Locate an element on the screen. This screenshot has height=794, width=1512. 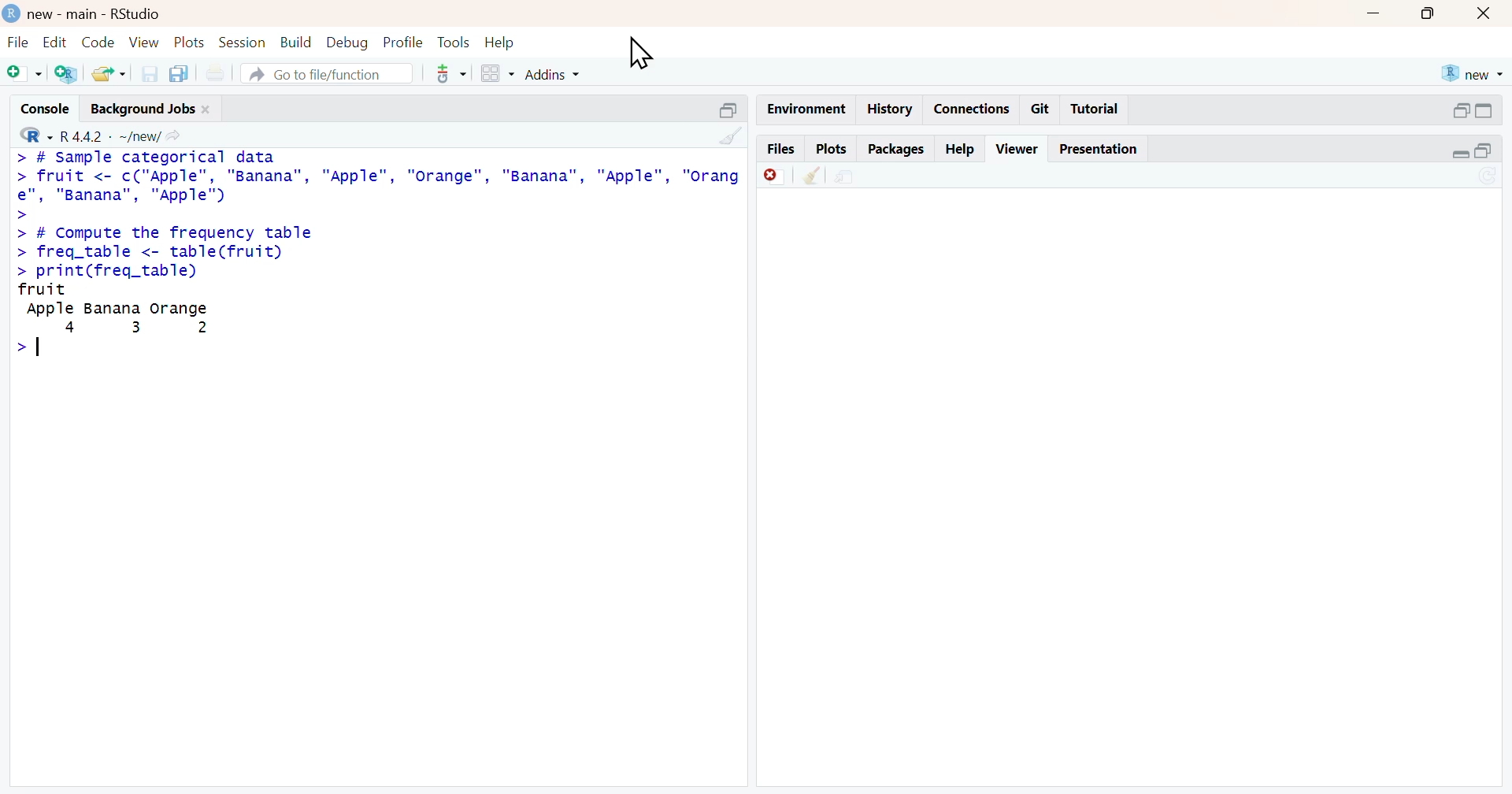
session is located at coordinates (243, 42).